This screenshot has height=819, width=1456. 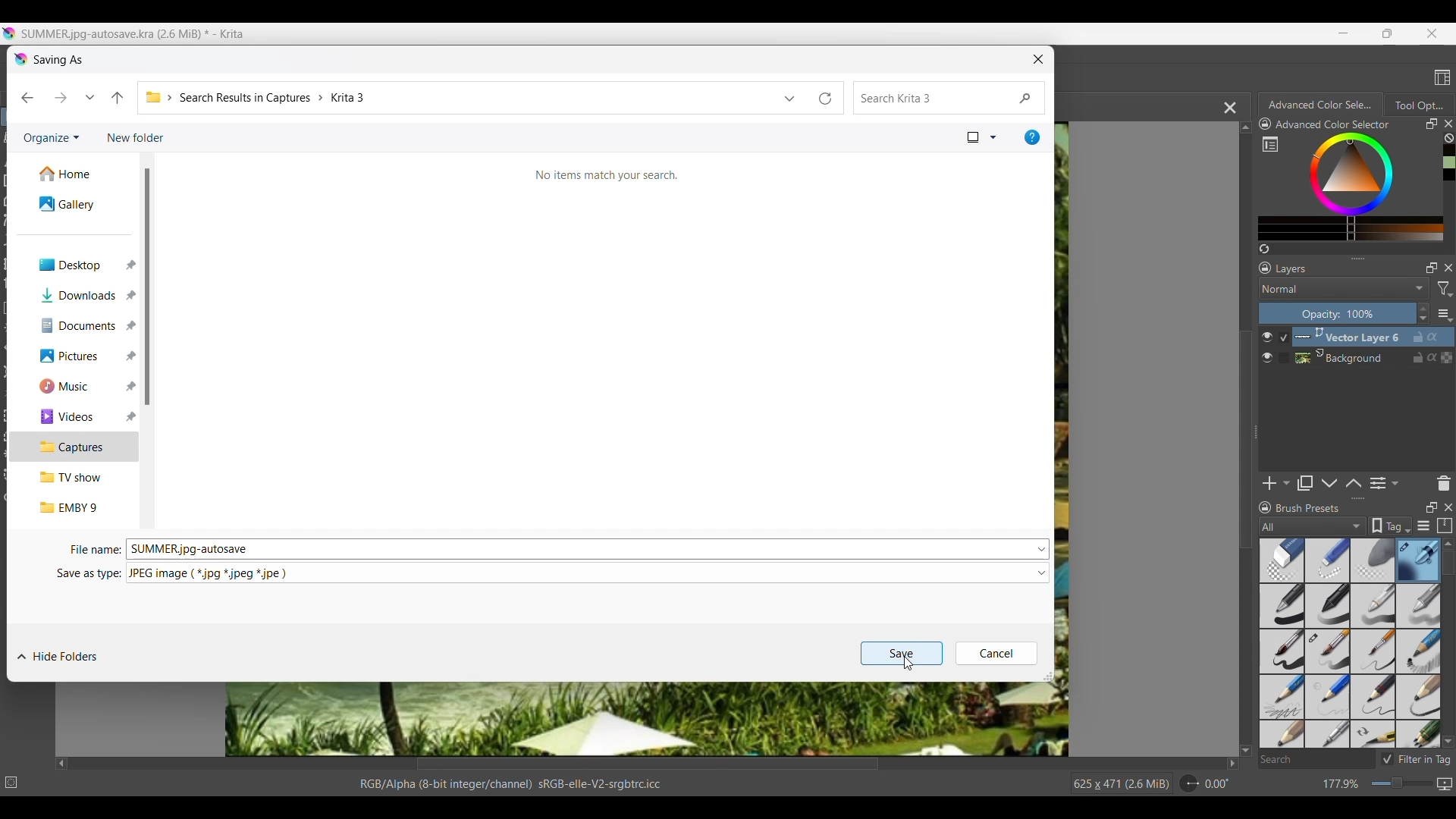 I want to click on Save as type:, so click(x=87, y=575).